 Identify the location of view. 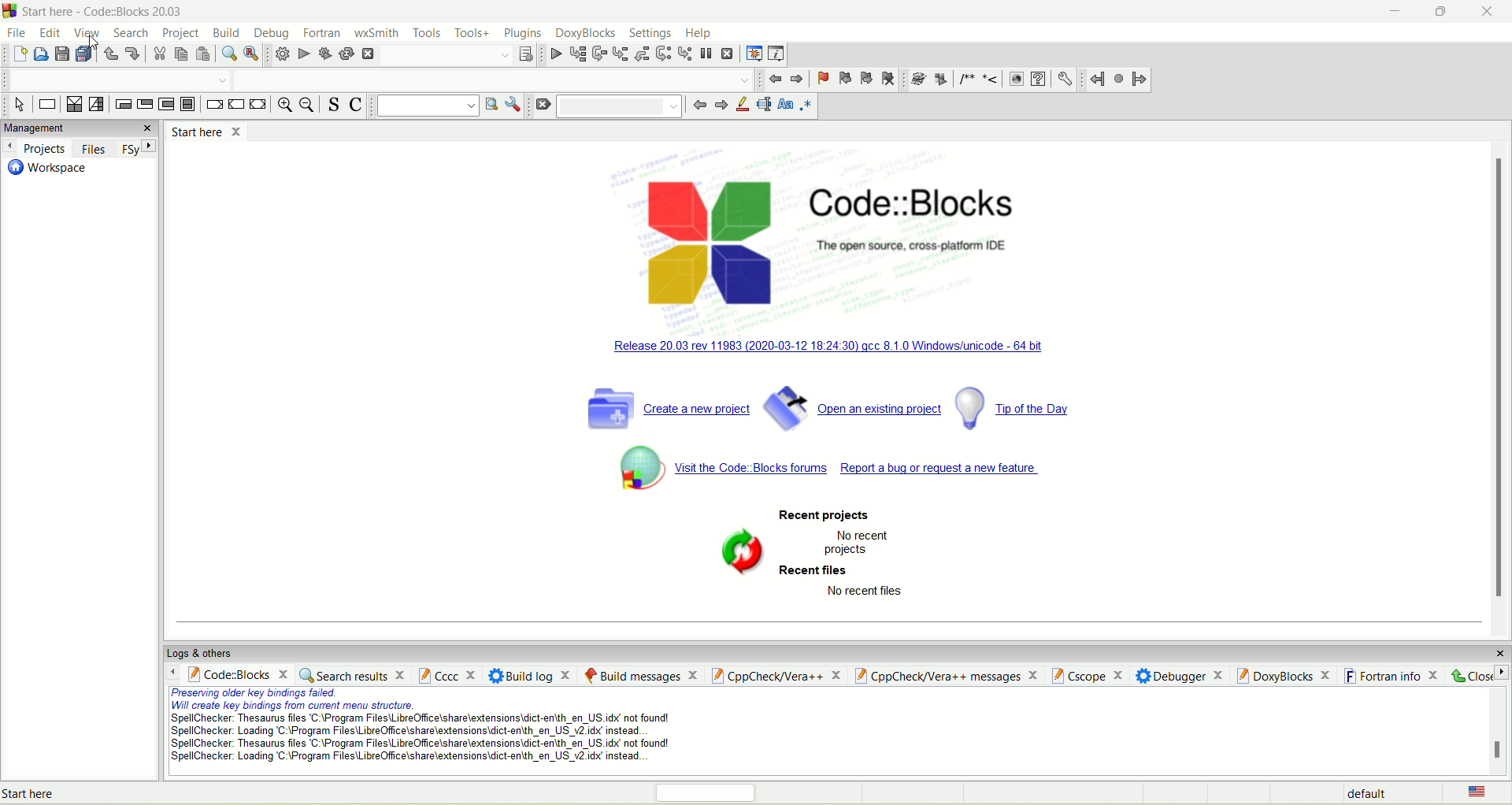
(85, 32).